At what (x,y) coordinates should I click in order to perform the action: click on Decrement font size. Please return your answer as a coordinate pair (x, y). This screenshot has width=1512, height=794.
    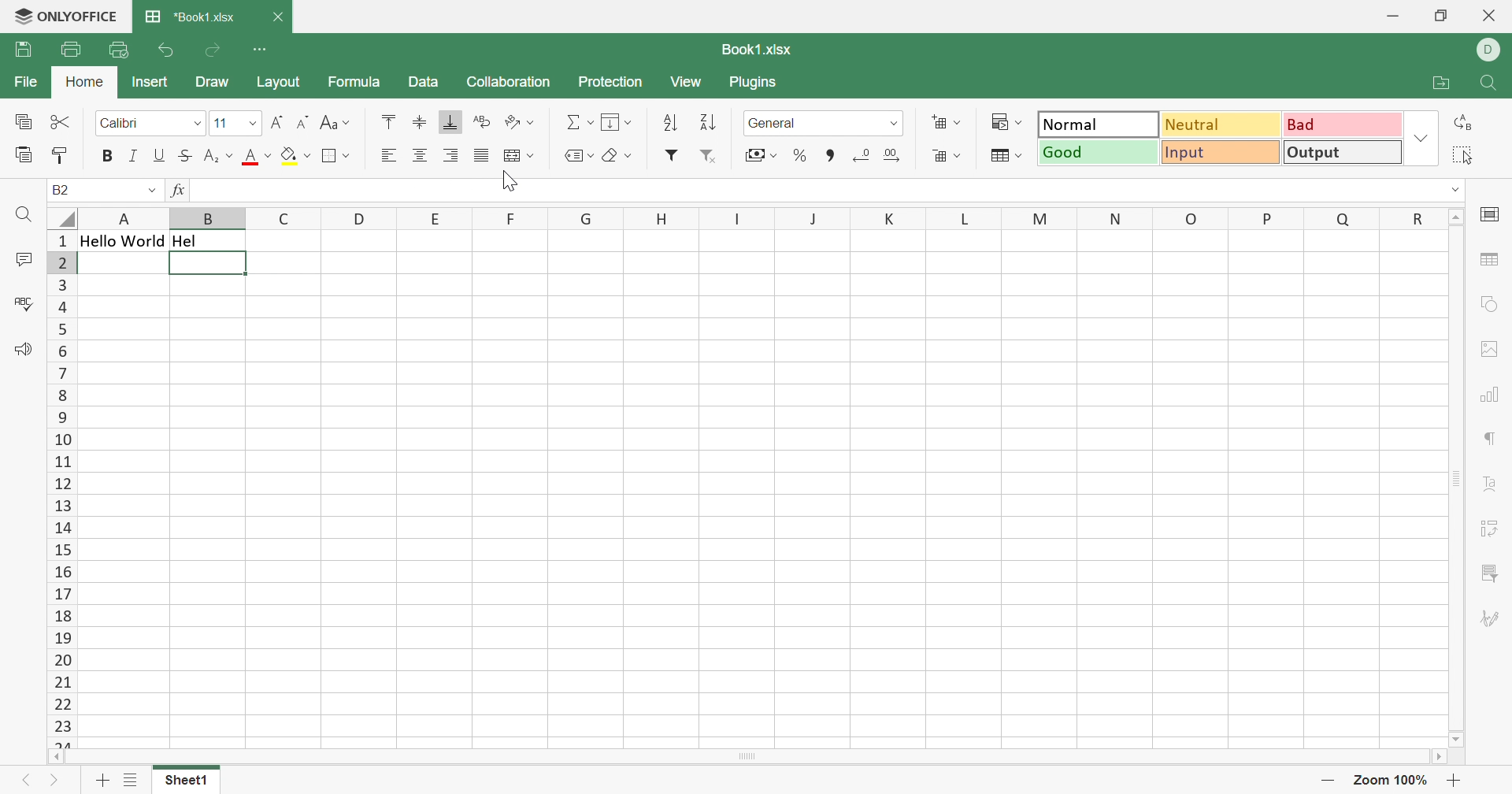
    Looking at the image, I should click on (303, 121).